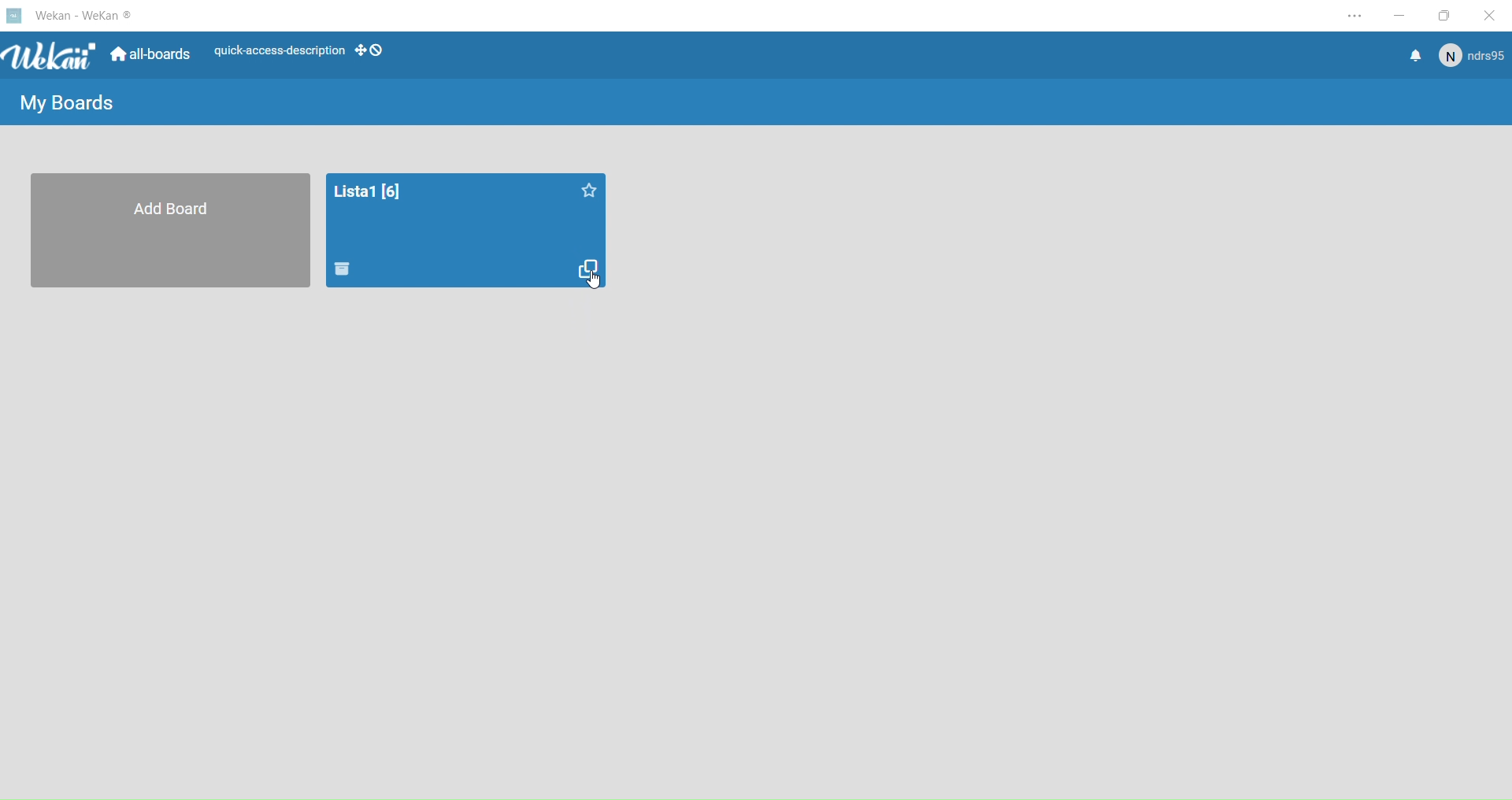  Describe the element at coordinates (1400, 16) in the screenshot. I see `Minimize` at that location.